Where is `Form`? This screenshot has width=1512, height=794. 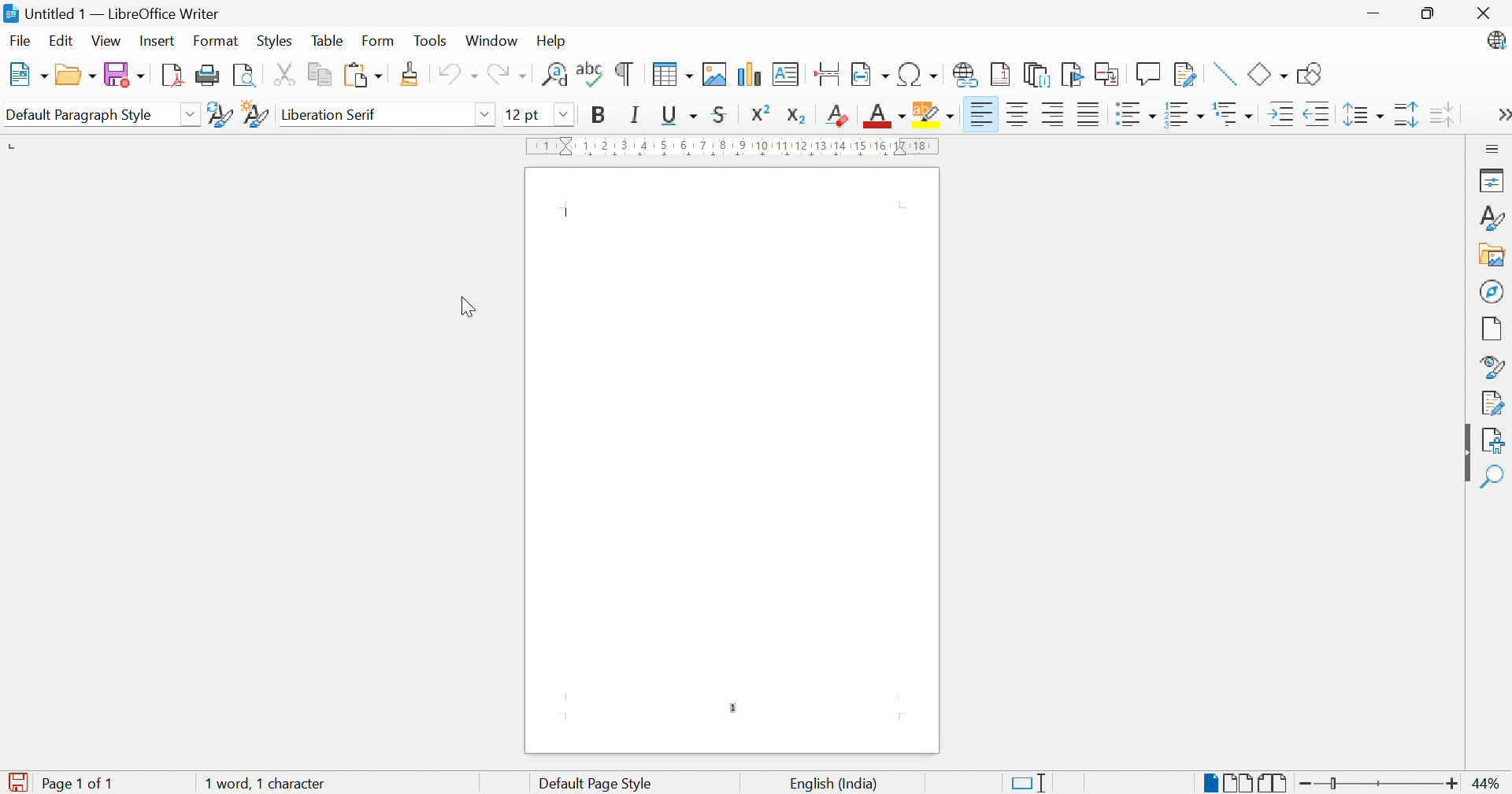 Form is located at coordinates (377, 41).